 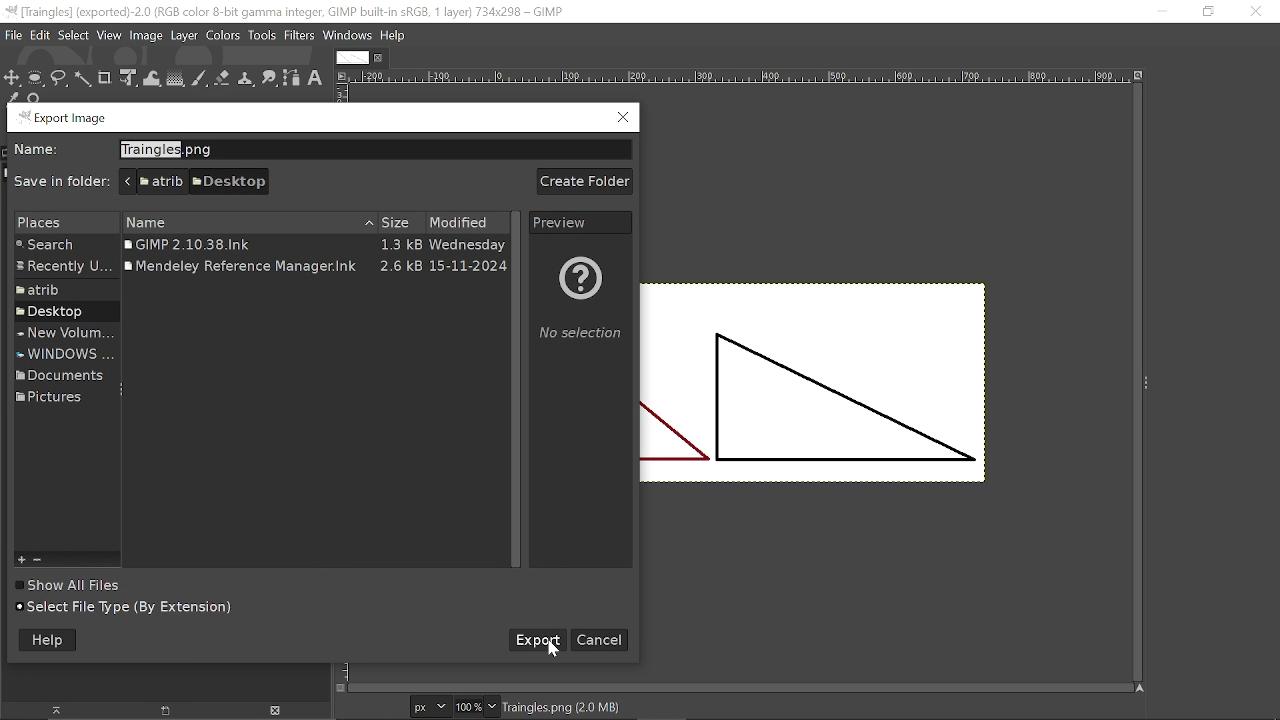 What do you see at coordinates (161, 711) in the screenshot?
I see `Create a new display for this image` at bounding box center [161, 711].